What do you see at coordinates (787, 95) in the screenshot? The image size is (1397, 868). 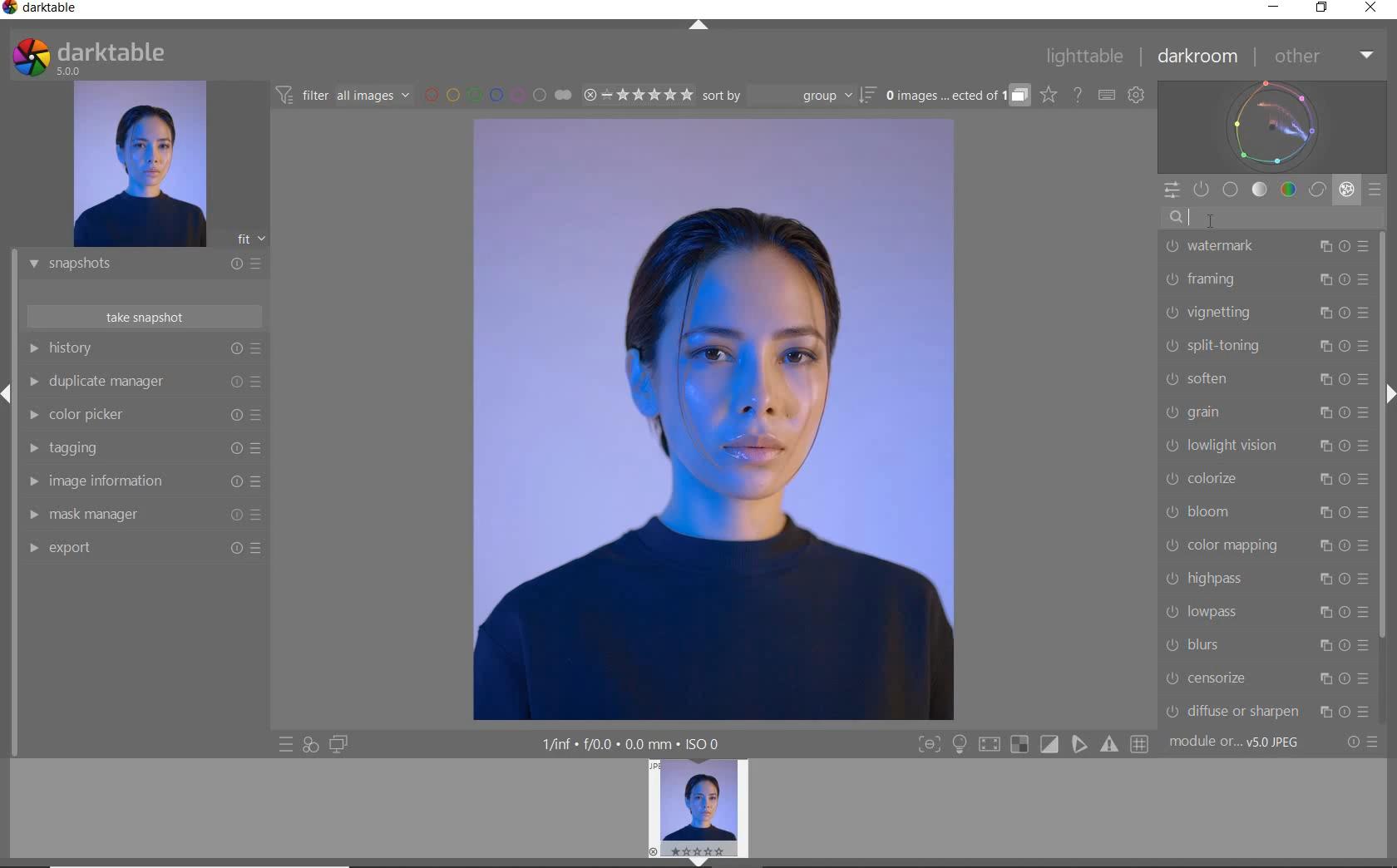 I see `SORT` at bounding box center [787, 95].